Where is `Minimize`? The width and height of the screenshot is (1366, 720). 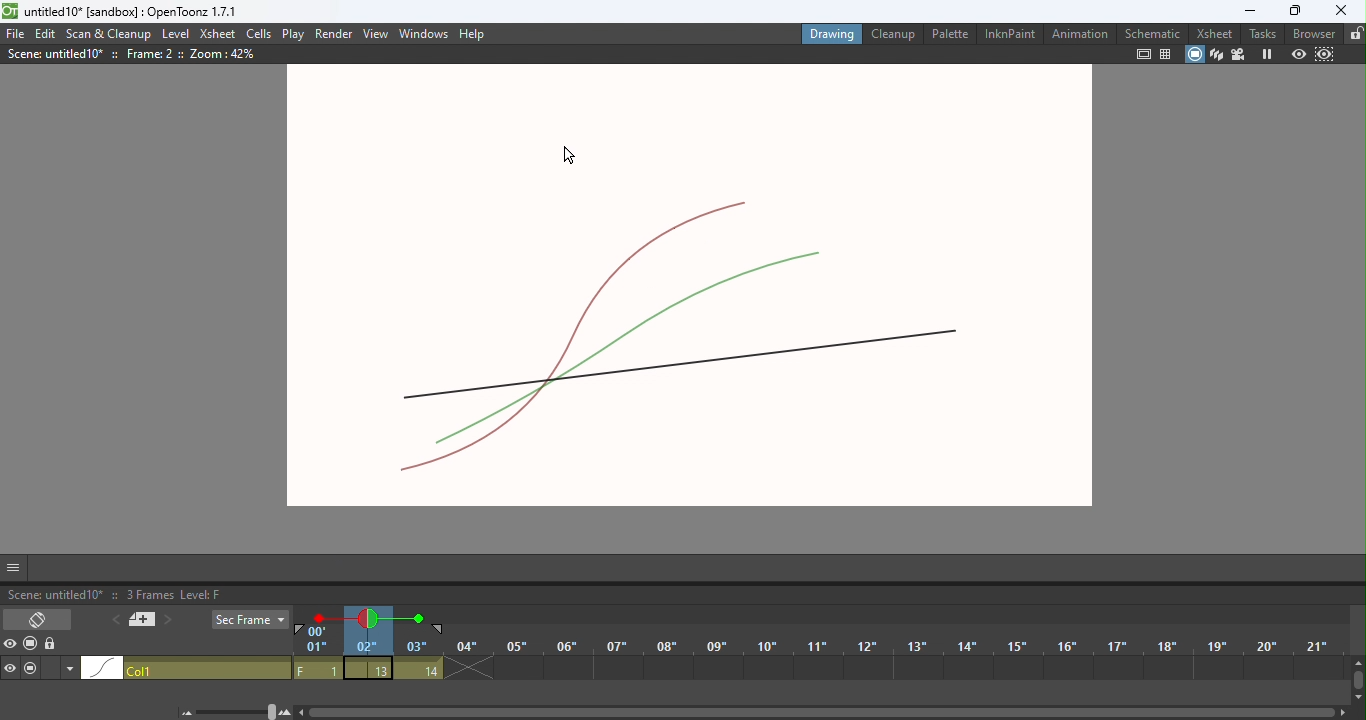
Minimize is located at coordinates (1244, 10).